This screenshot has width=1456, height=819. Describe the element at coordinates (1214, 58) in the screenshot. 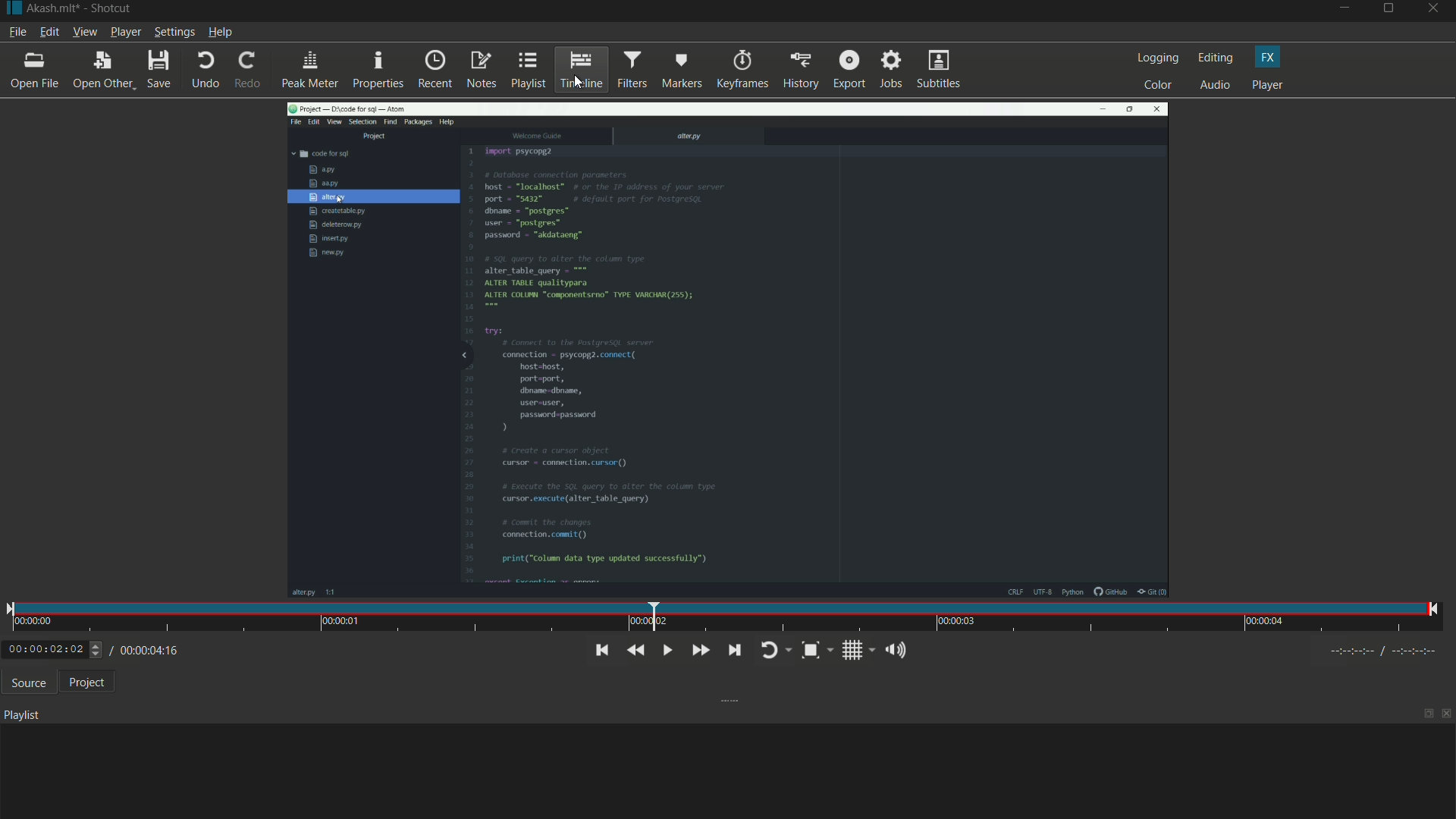

I see `editing` at that location.